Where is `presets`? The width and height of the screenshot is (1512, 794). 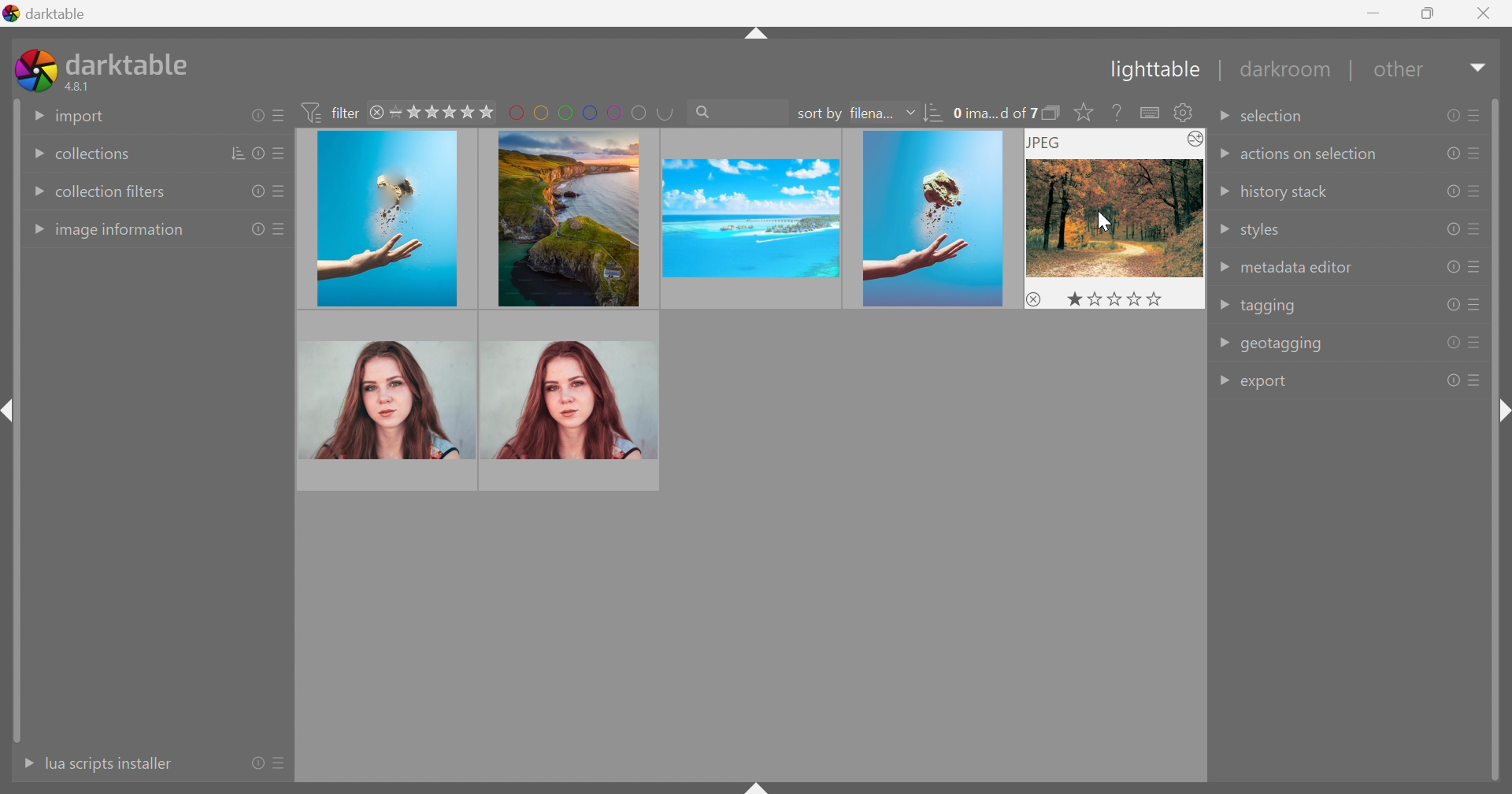
presets is located at coordinates (283, 765).